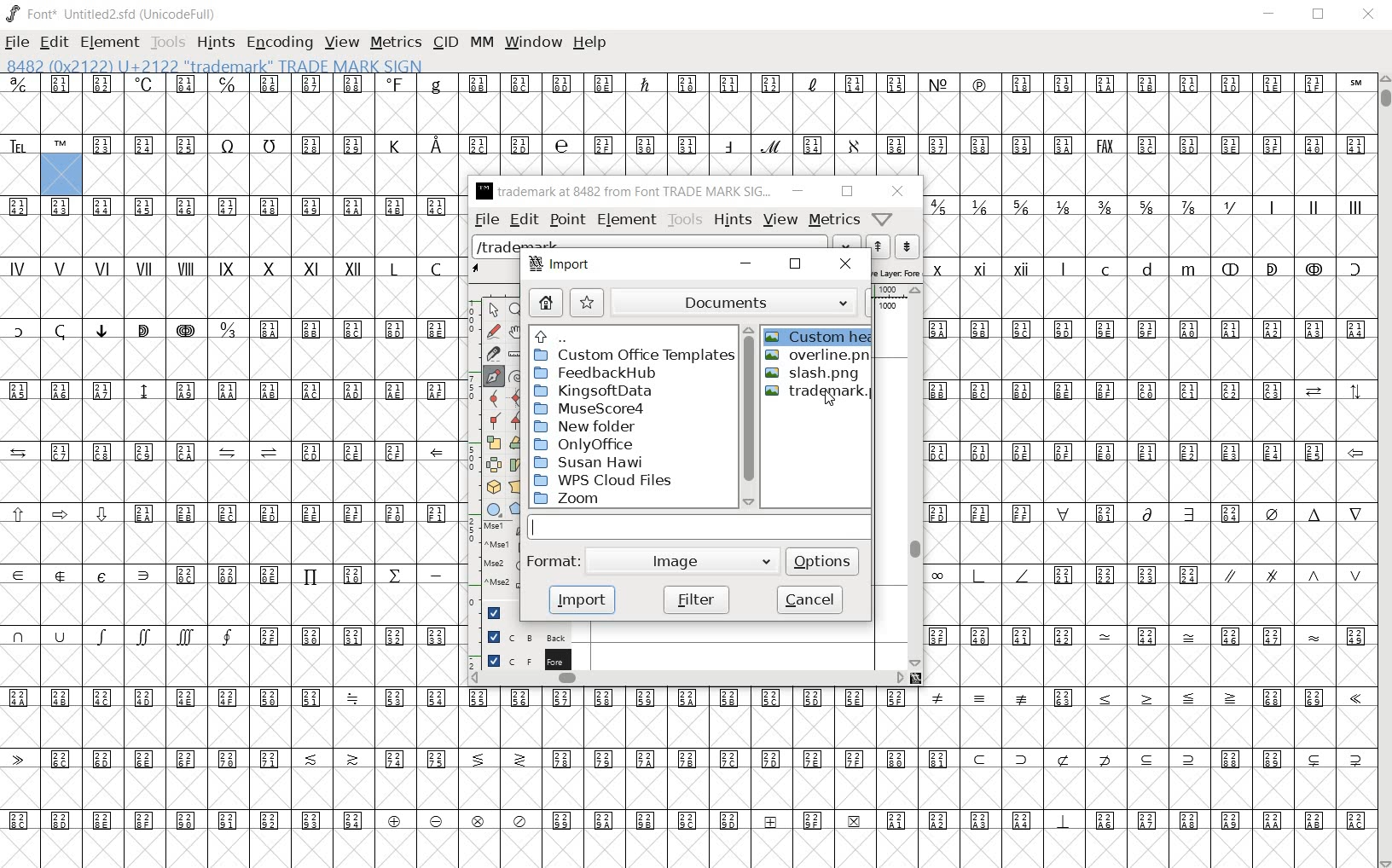 The height and width of the screenshot is (868, 1392). Describe the element at coordinates (836, 220) in the screenshot. I see `metrics` at that location.